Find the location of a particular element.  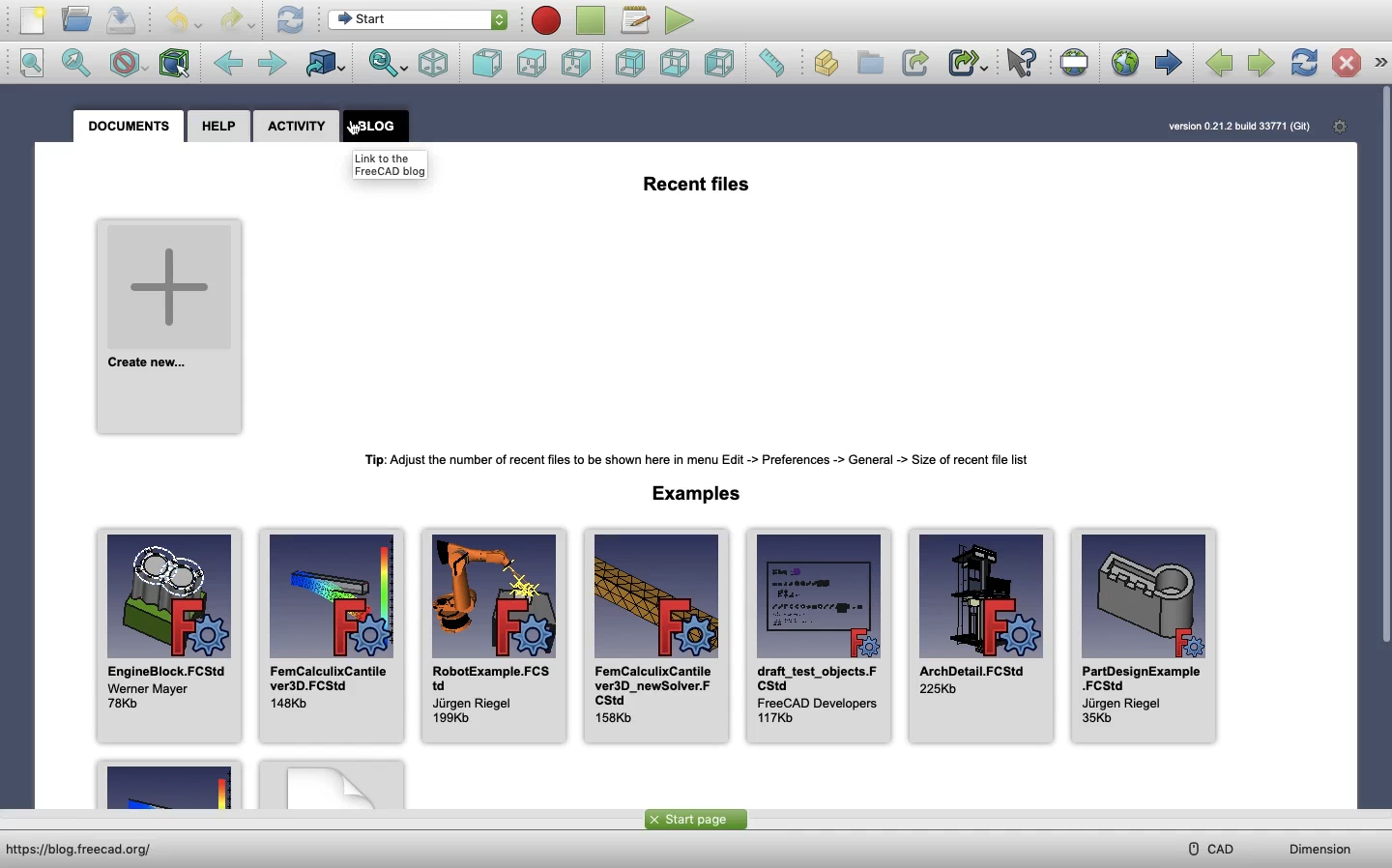

Redo is located at coordinates (235, 21).